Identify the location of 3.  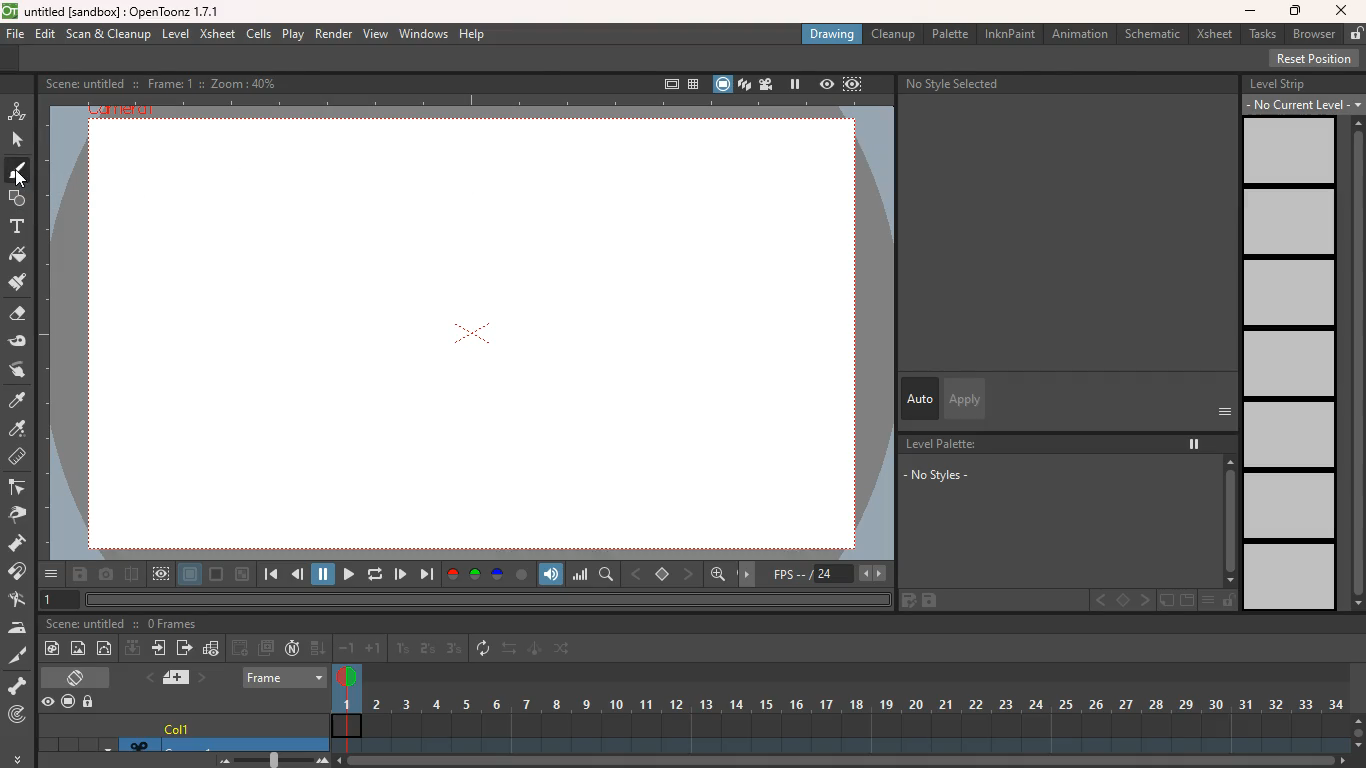
(454, 650).